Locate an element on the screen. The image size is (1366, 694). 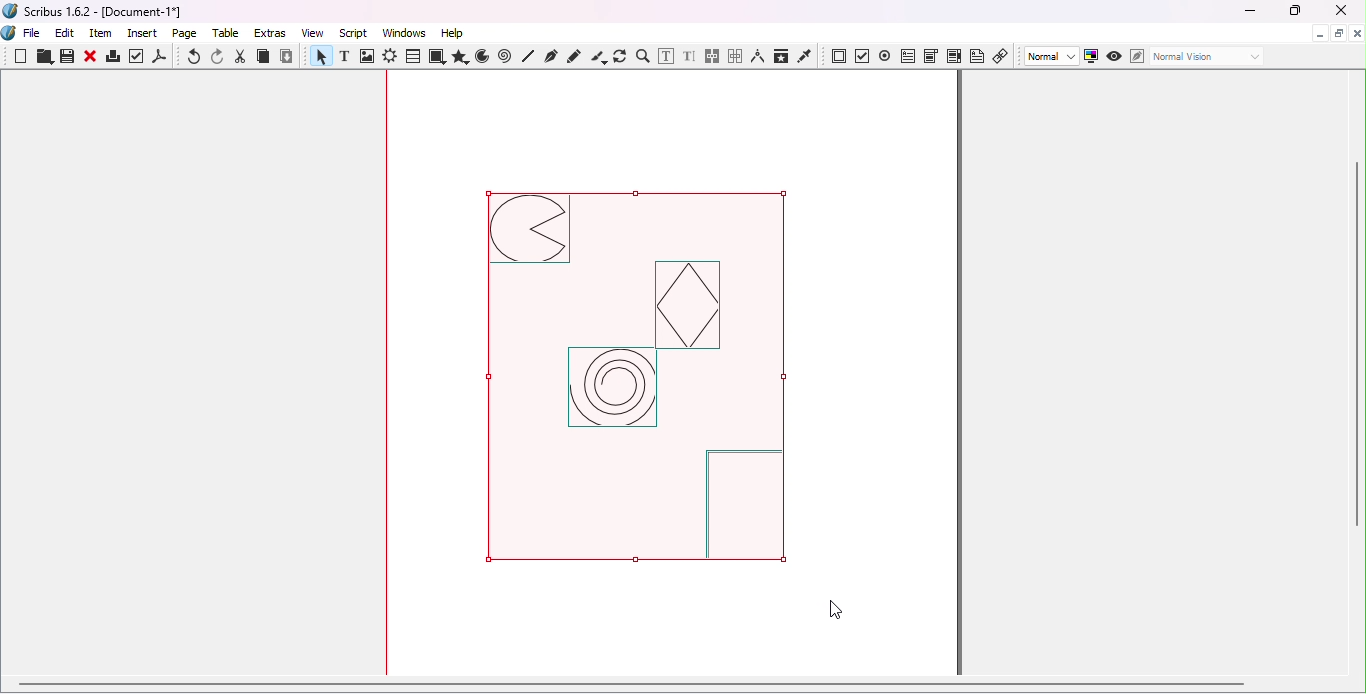
save as PDF is located at coordinates (161, 59).